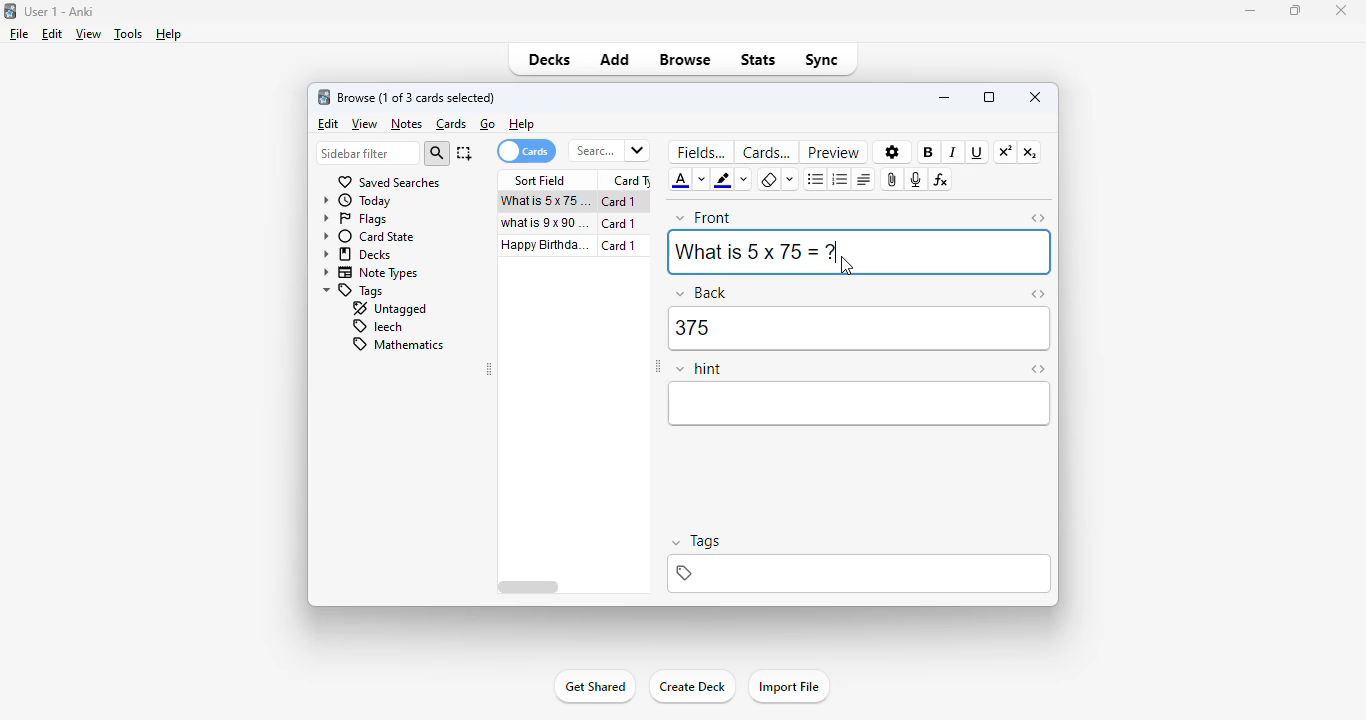 This screenshot has width=1366, height=720. Describe the element at coordinates (692, 687) in the screenshot. I see `create deck` at that location.